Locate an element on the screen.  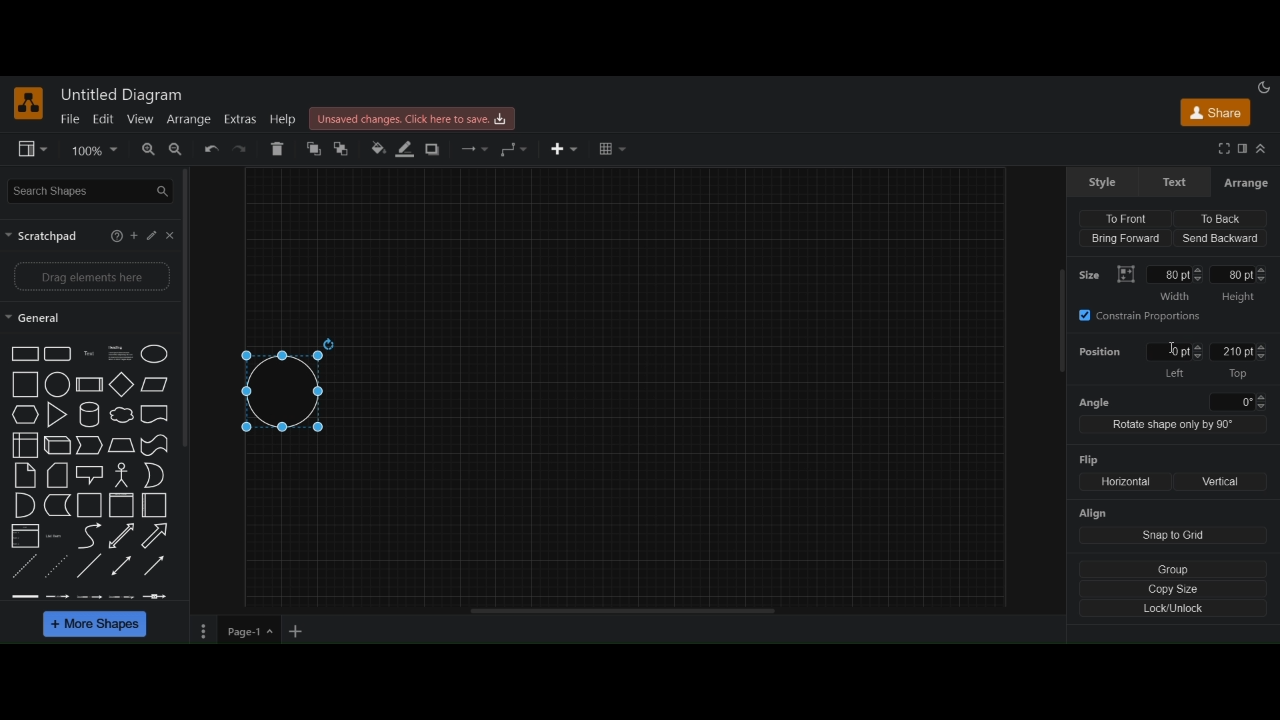
scratchpad is located at coordinates (44, 236).